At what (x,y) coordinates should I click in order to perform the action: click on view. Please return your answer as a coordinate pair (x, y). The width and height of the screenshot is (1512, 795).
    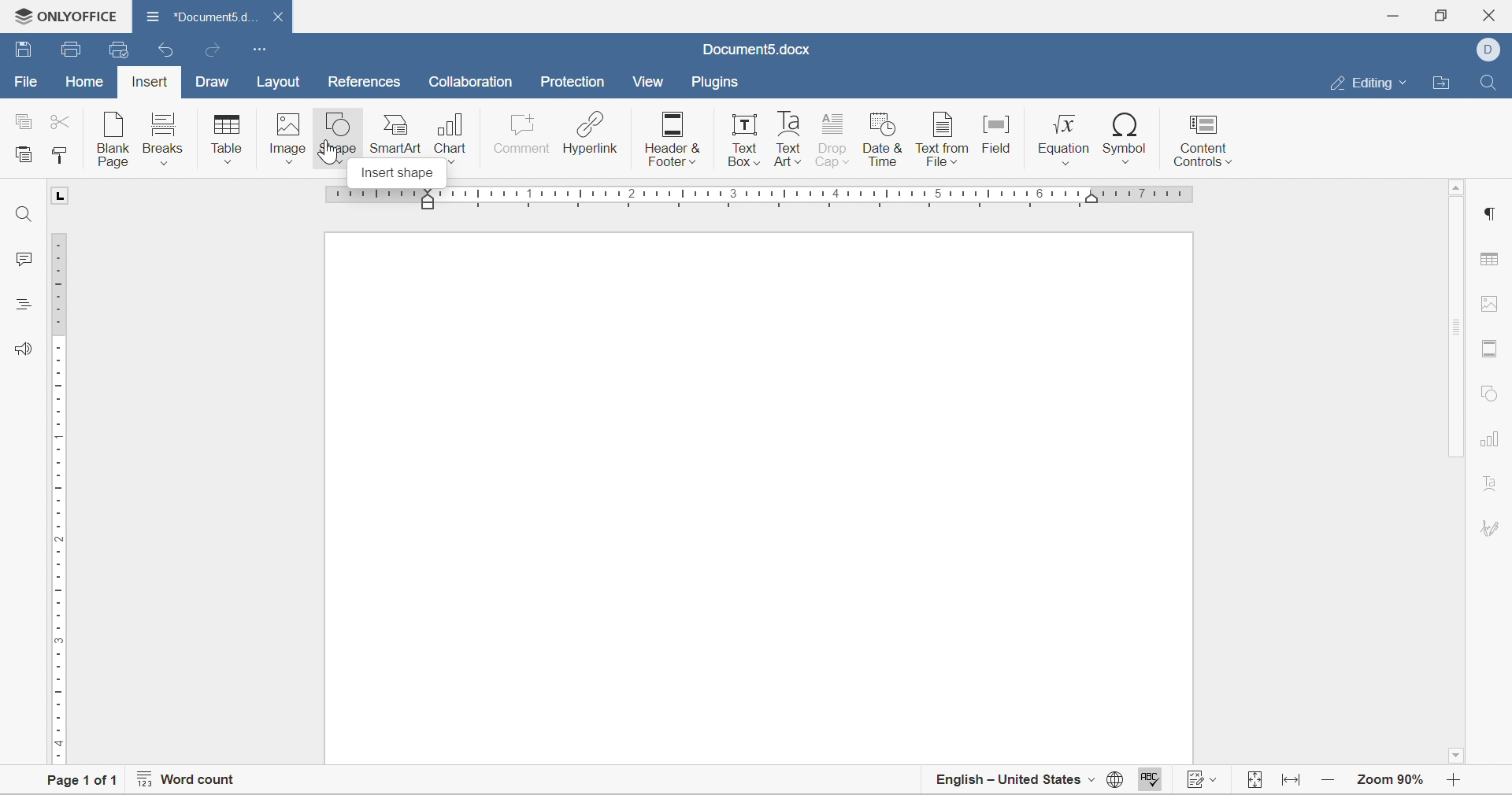
    Looking at the image, I should click on (647, 85).